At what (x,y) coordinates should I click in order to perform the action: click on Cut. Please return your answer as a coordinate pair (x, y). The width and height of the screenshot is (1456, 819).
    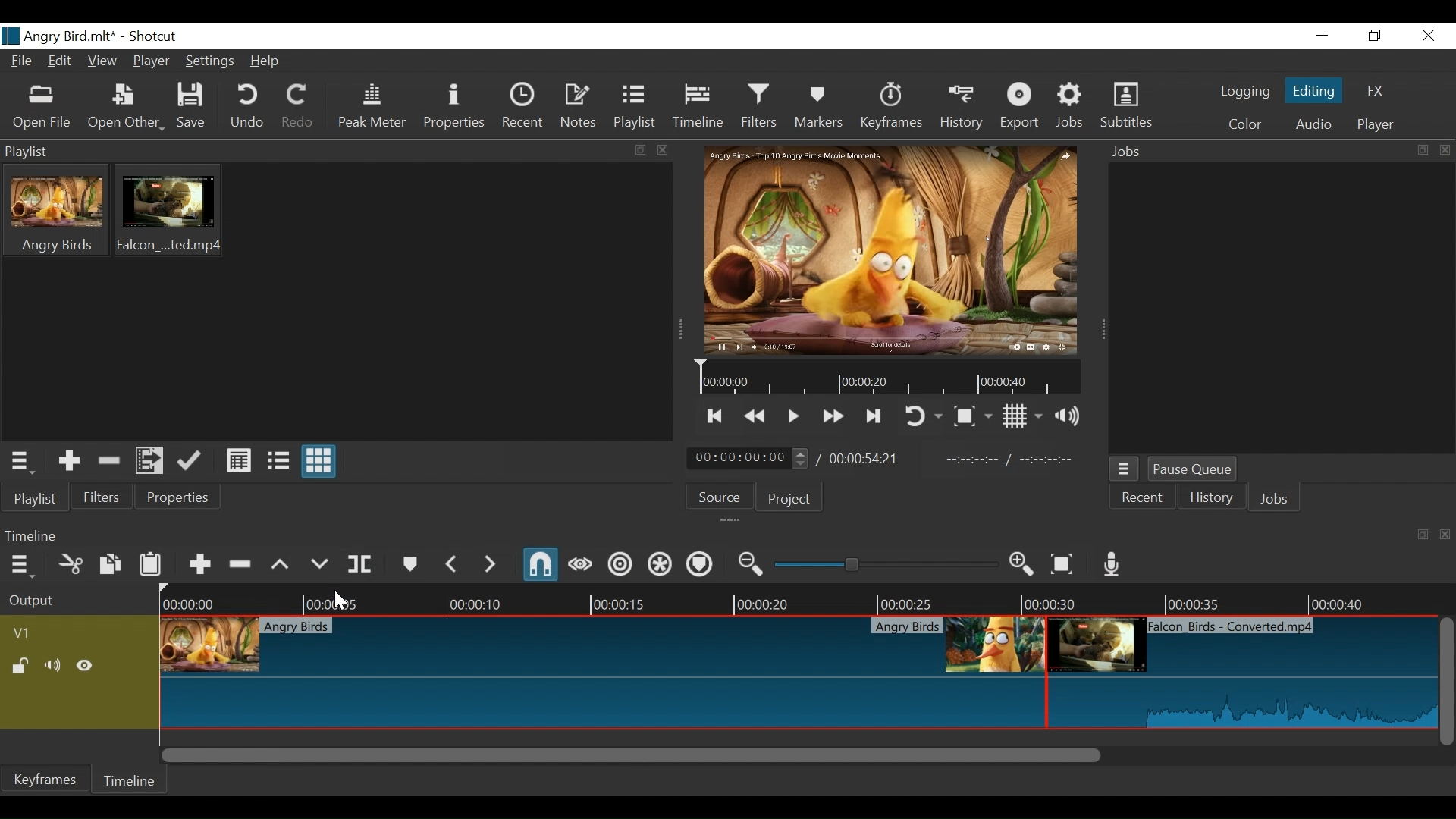
    Looking at the image, I should click on (70, 564).